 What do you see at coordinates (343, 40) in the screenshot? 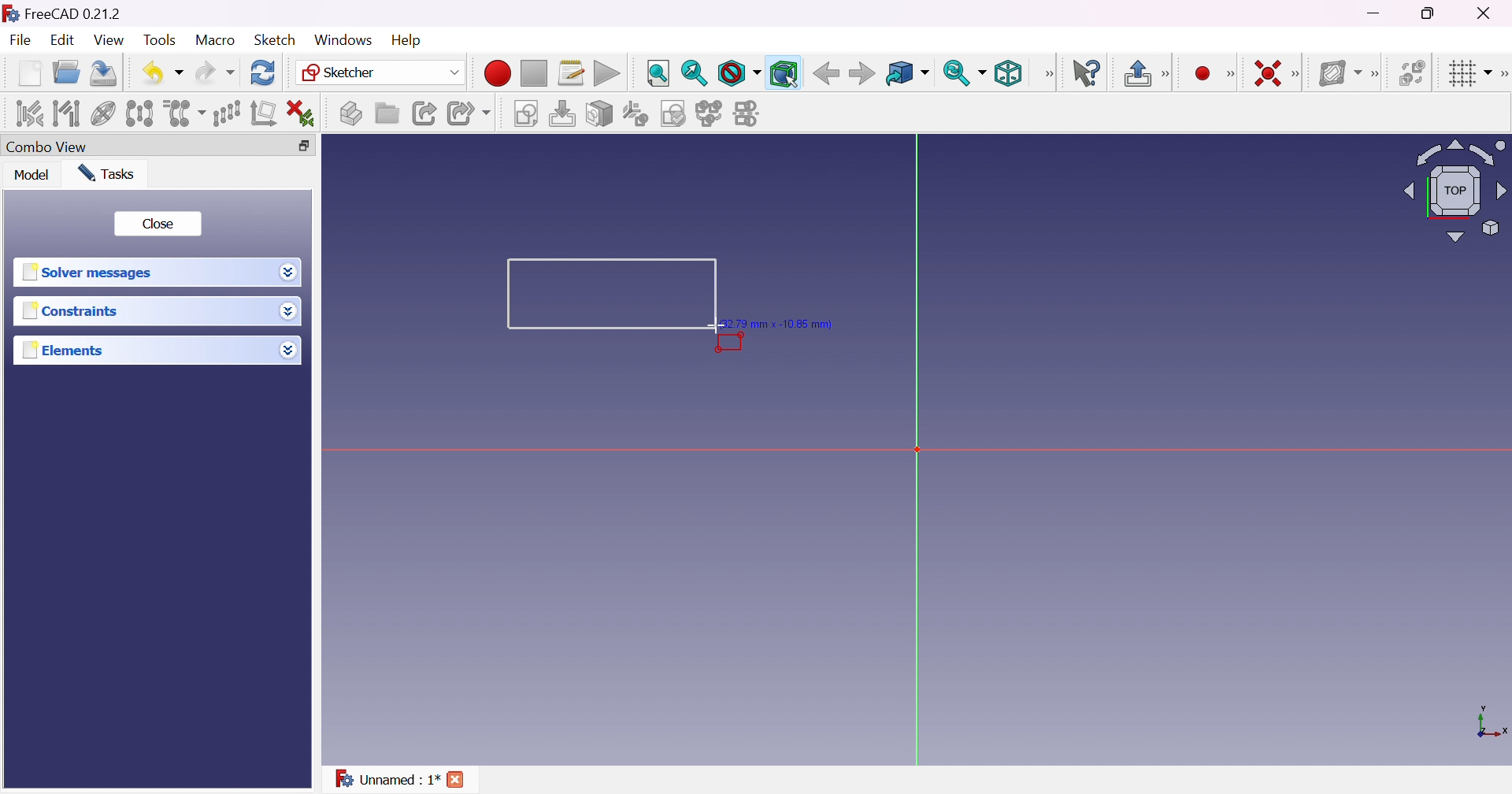
I see `Windows` at bounding box center [343, 40].